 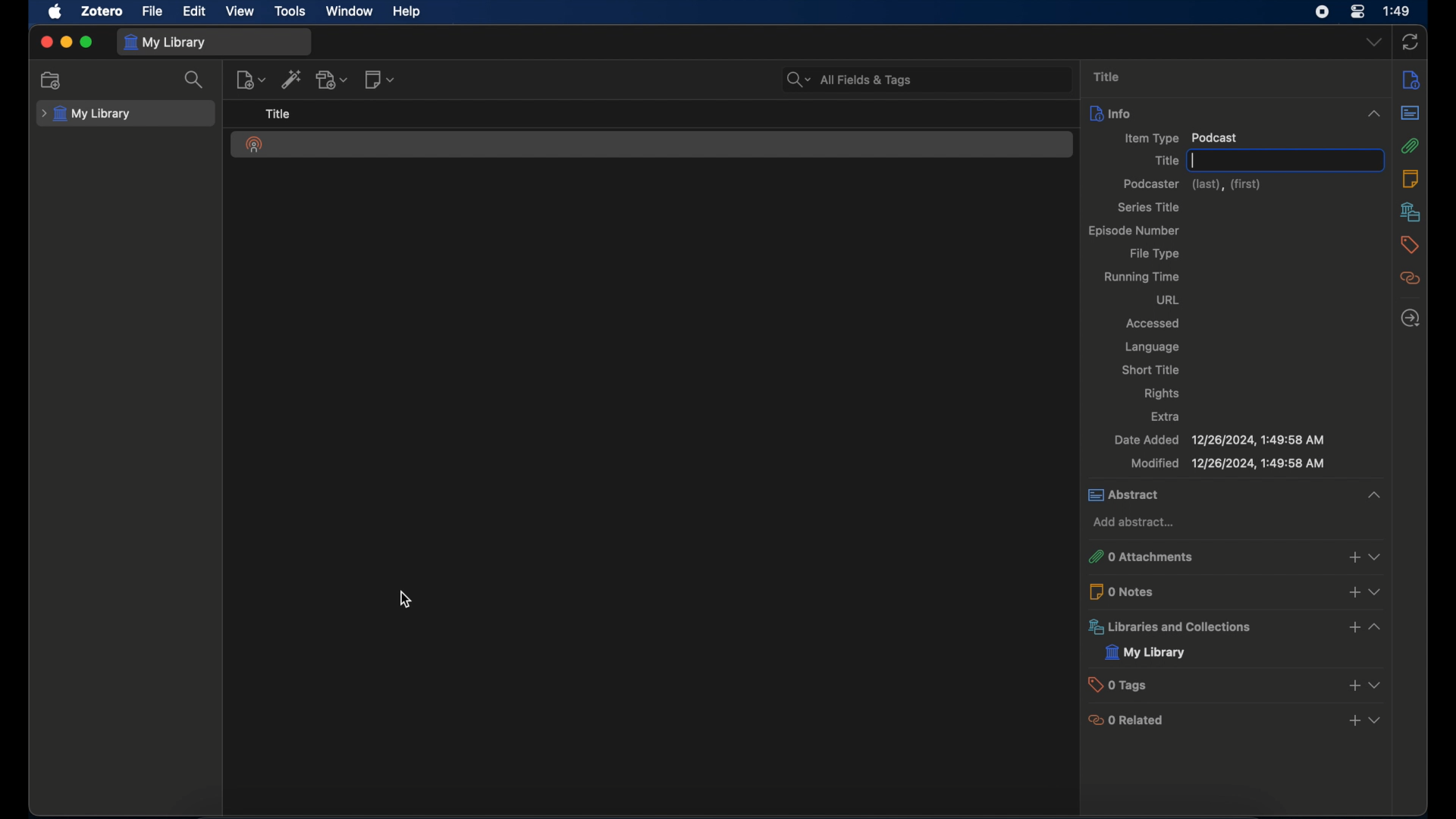 What do you see at coordinates (196, 11) in the screenshot?
I see `edit` at bounding box center [196, 11].